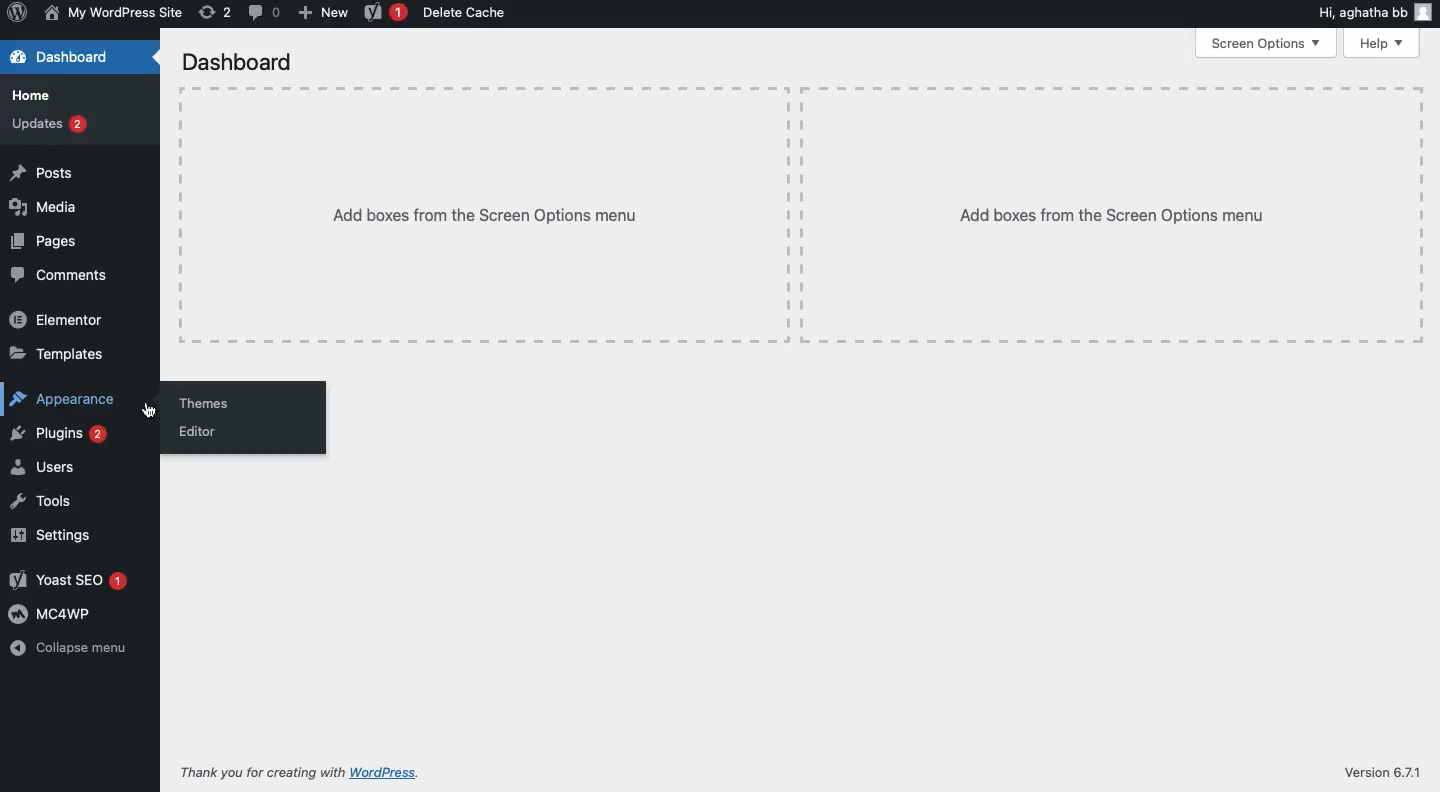 Image resolution: width=1440 pixels, height=792 pixels. I want to click on Dashboard, so click(64, 57).